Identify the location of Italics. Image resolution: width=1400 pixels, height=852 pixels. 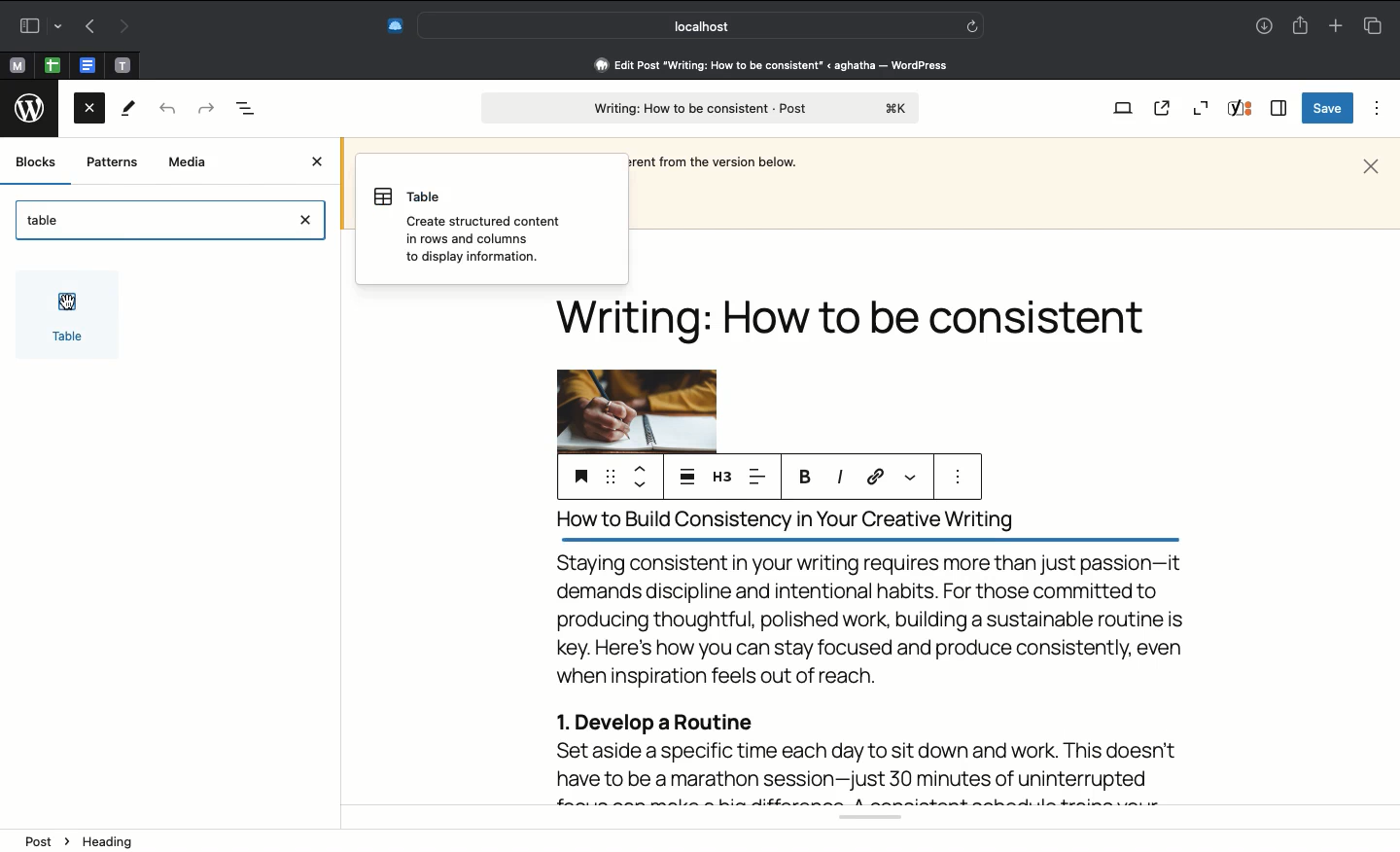
(839, 478).